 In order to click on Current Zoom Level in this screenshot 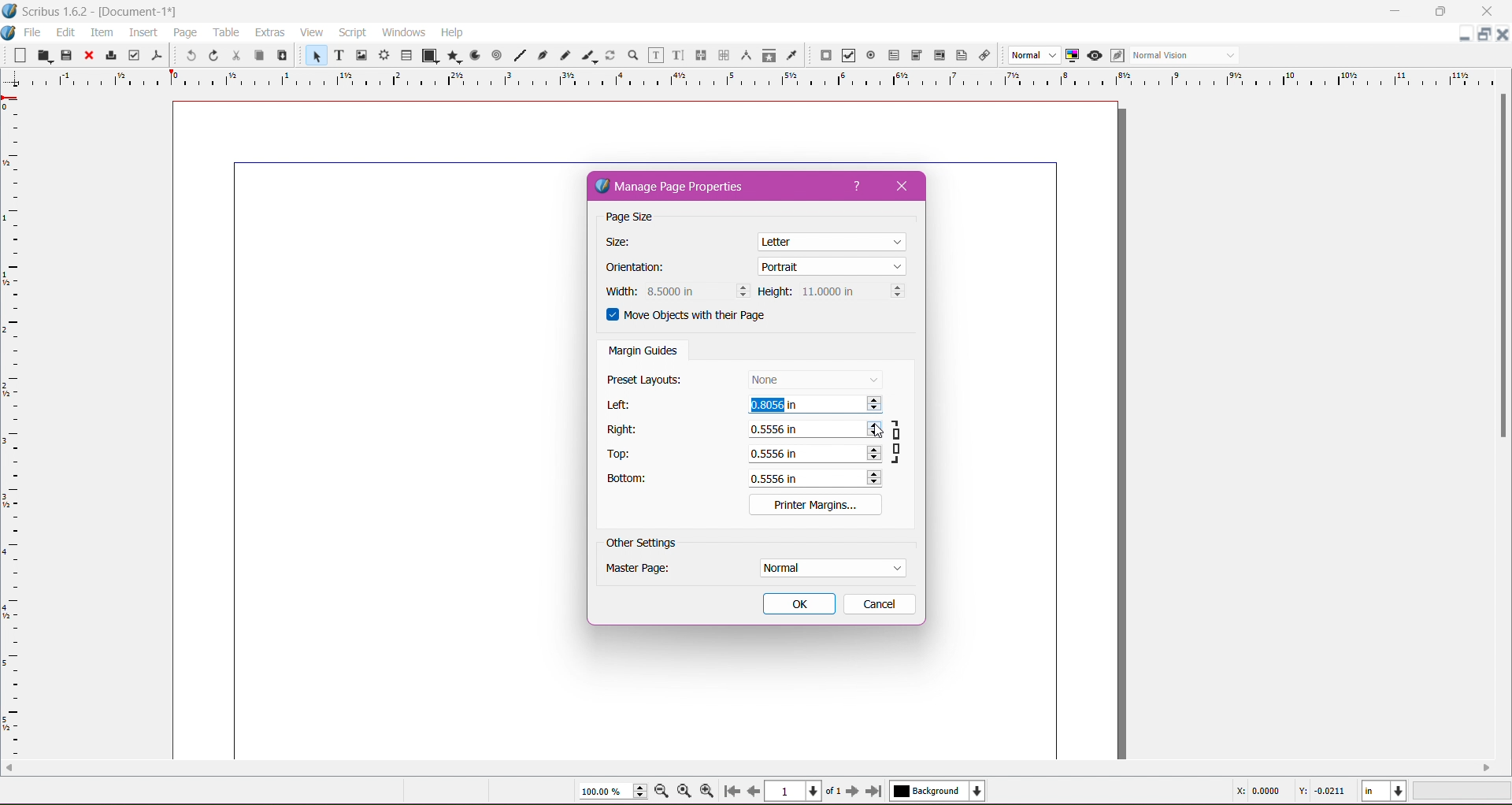, I will do `click(606, 792)`.